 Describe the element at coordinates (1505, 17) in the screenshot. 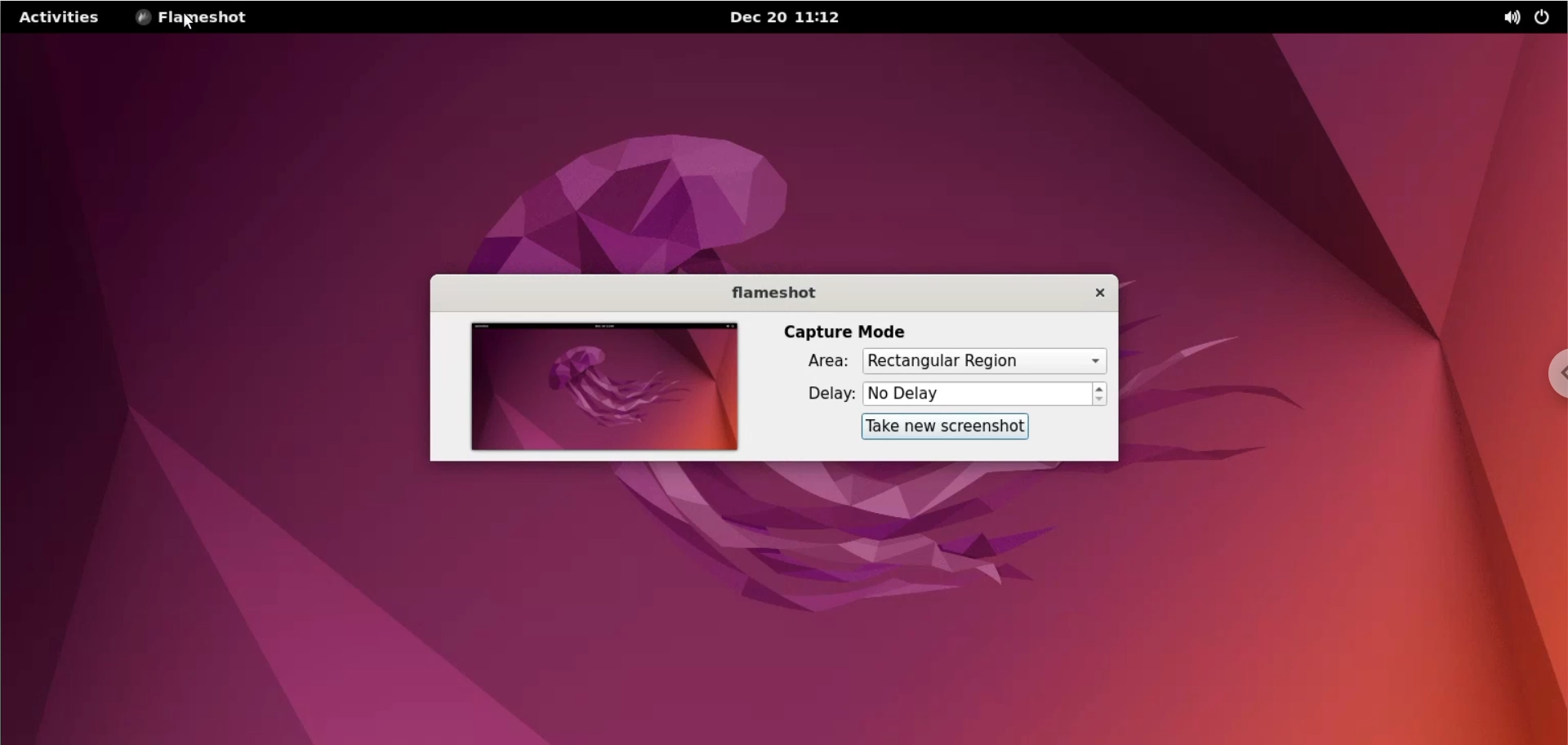

I see `sound options` at that location.